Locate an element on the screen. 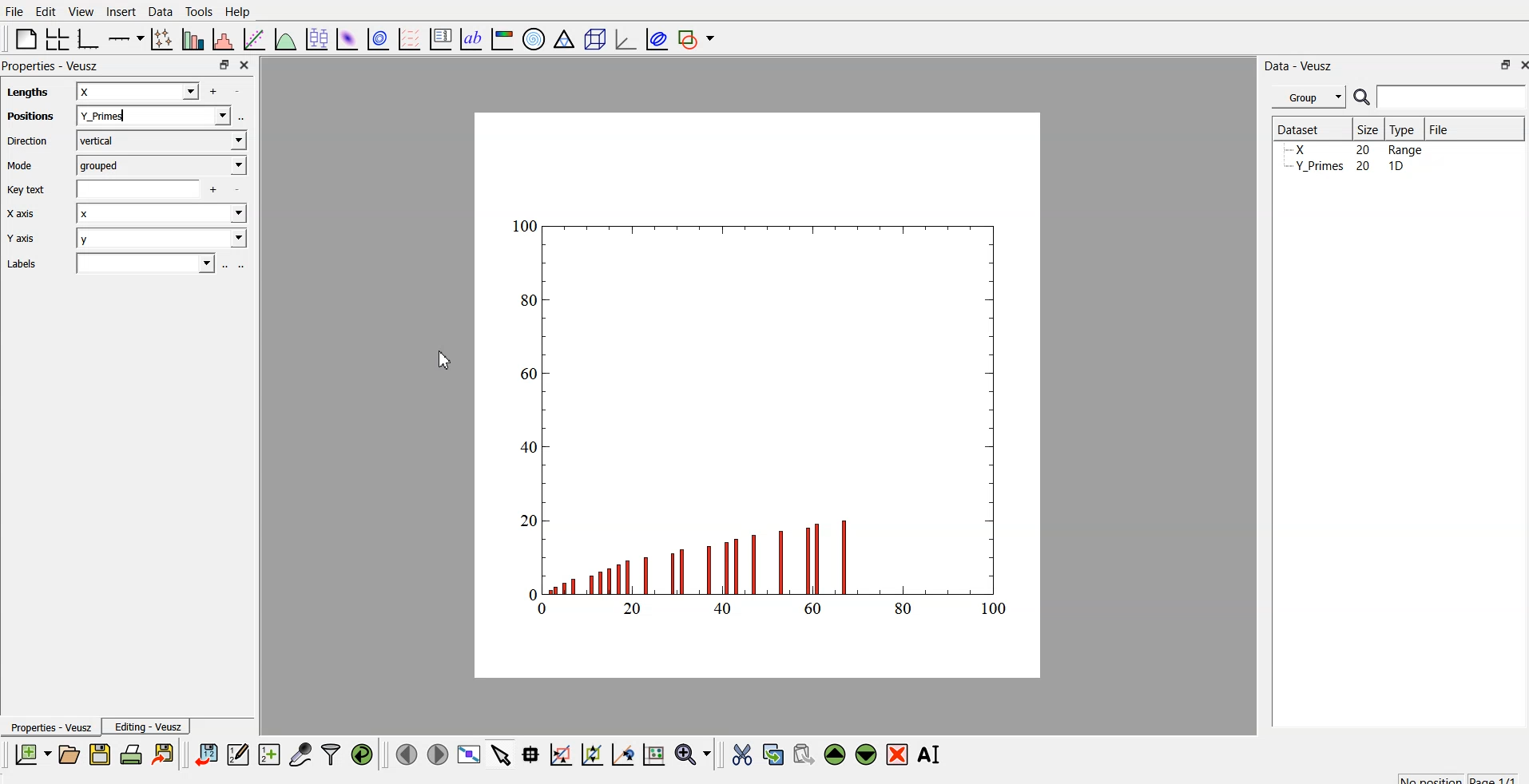 Image resolution: width=1529 pixels, height=784 pixels. Y axis y is located at coordinates (129, 240).